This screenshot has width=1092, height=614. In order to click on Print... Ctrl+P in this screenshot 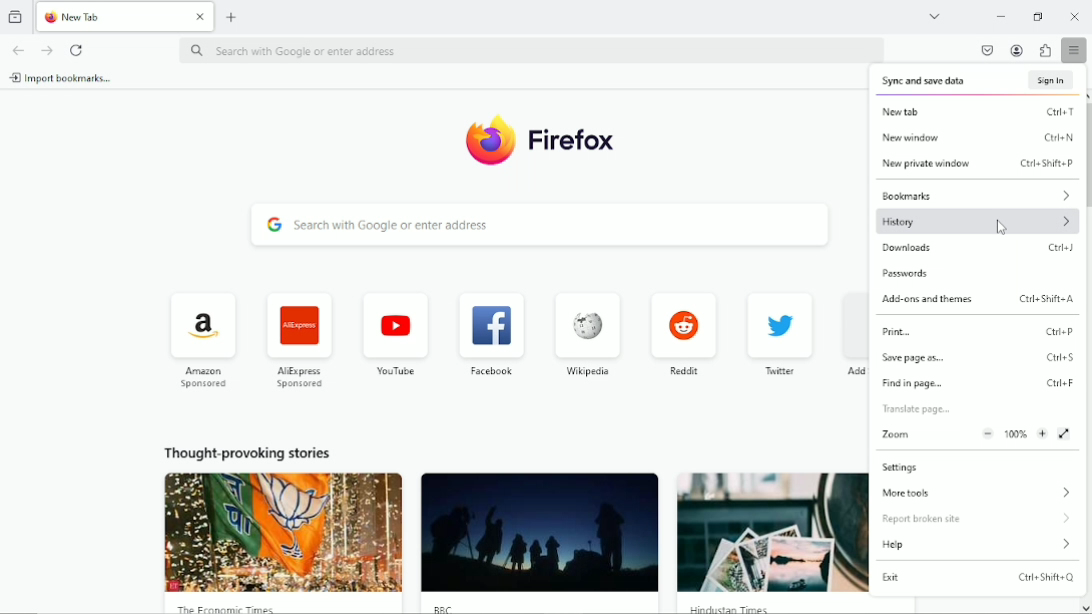, I will do `click(980, 330)`.